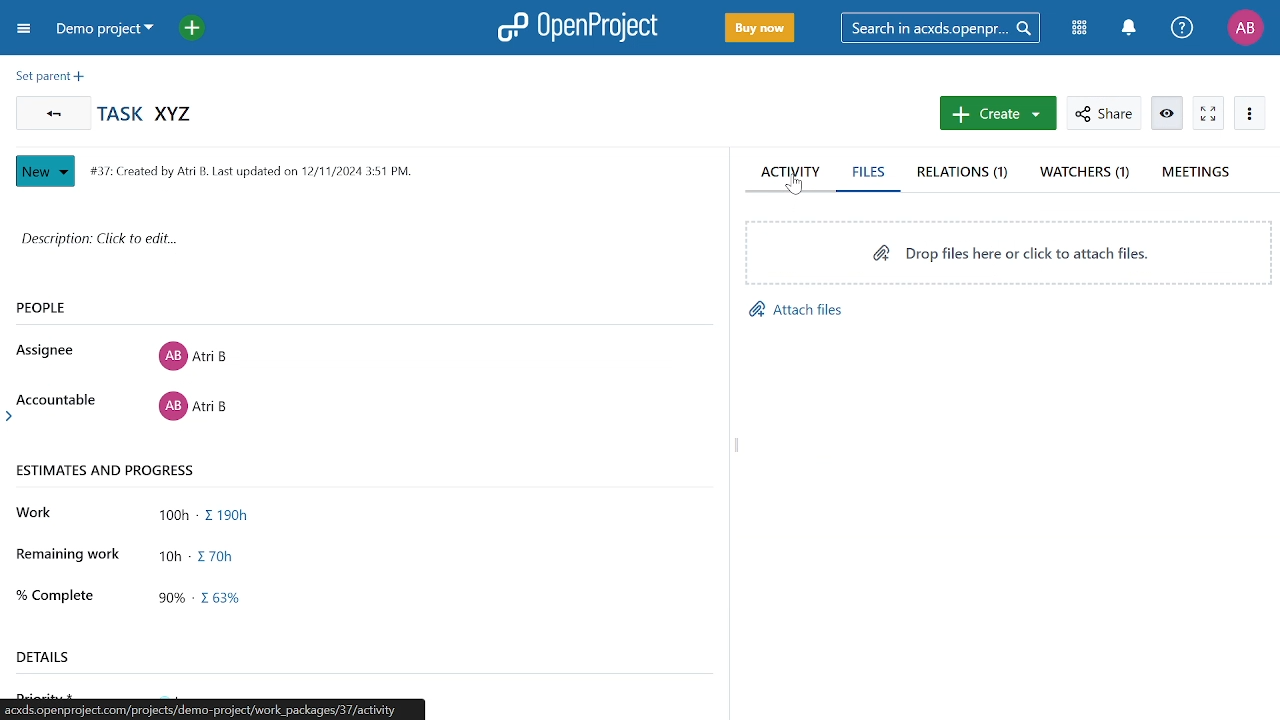  Describe the element at coordinates (1004, 253) in the screenshot. I see `Drop files here or click to attach files` at that location.